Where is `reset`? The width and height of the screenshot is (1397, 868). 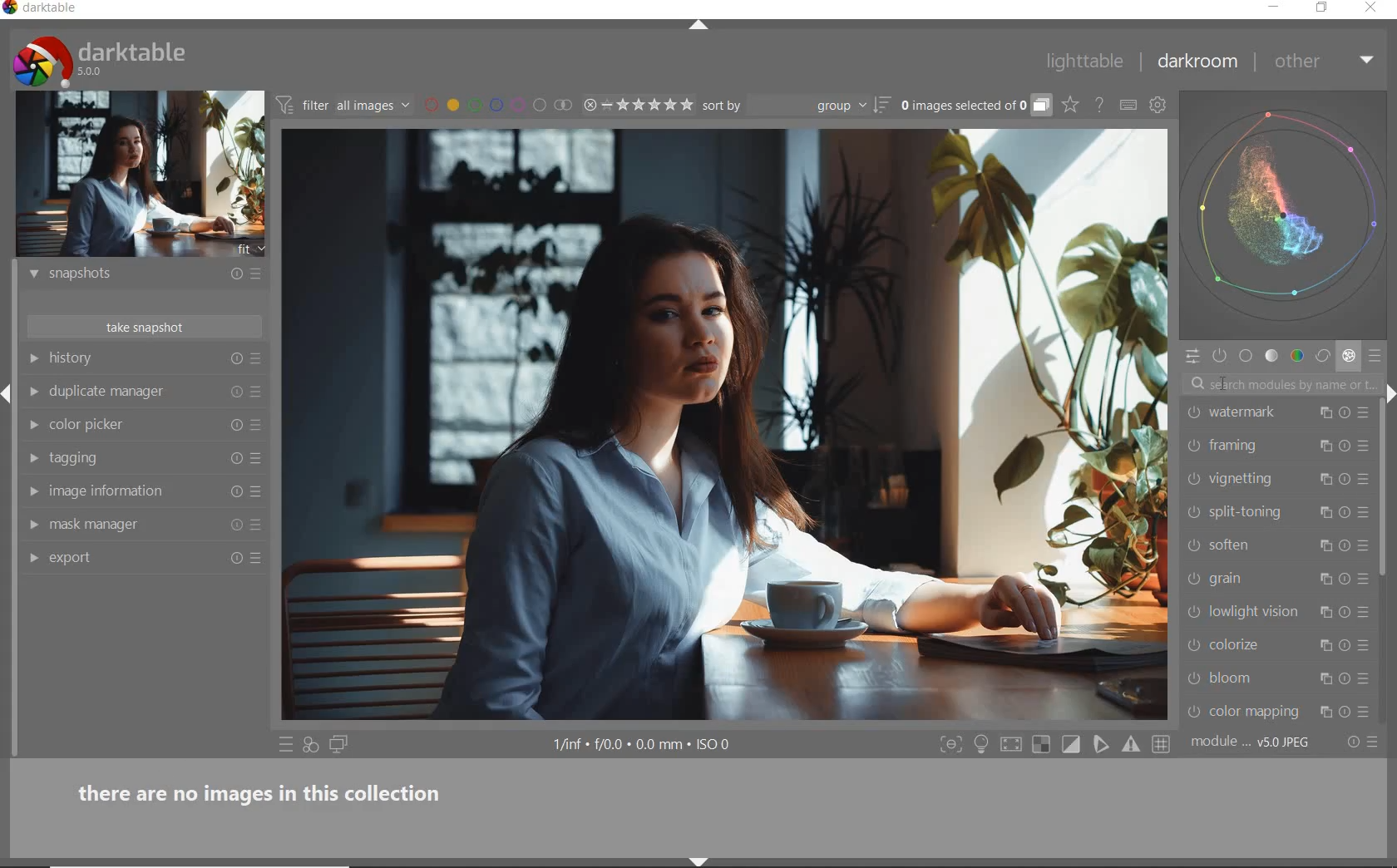 reset is located at coordinates (1347, 610).